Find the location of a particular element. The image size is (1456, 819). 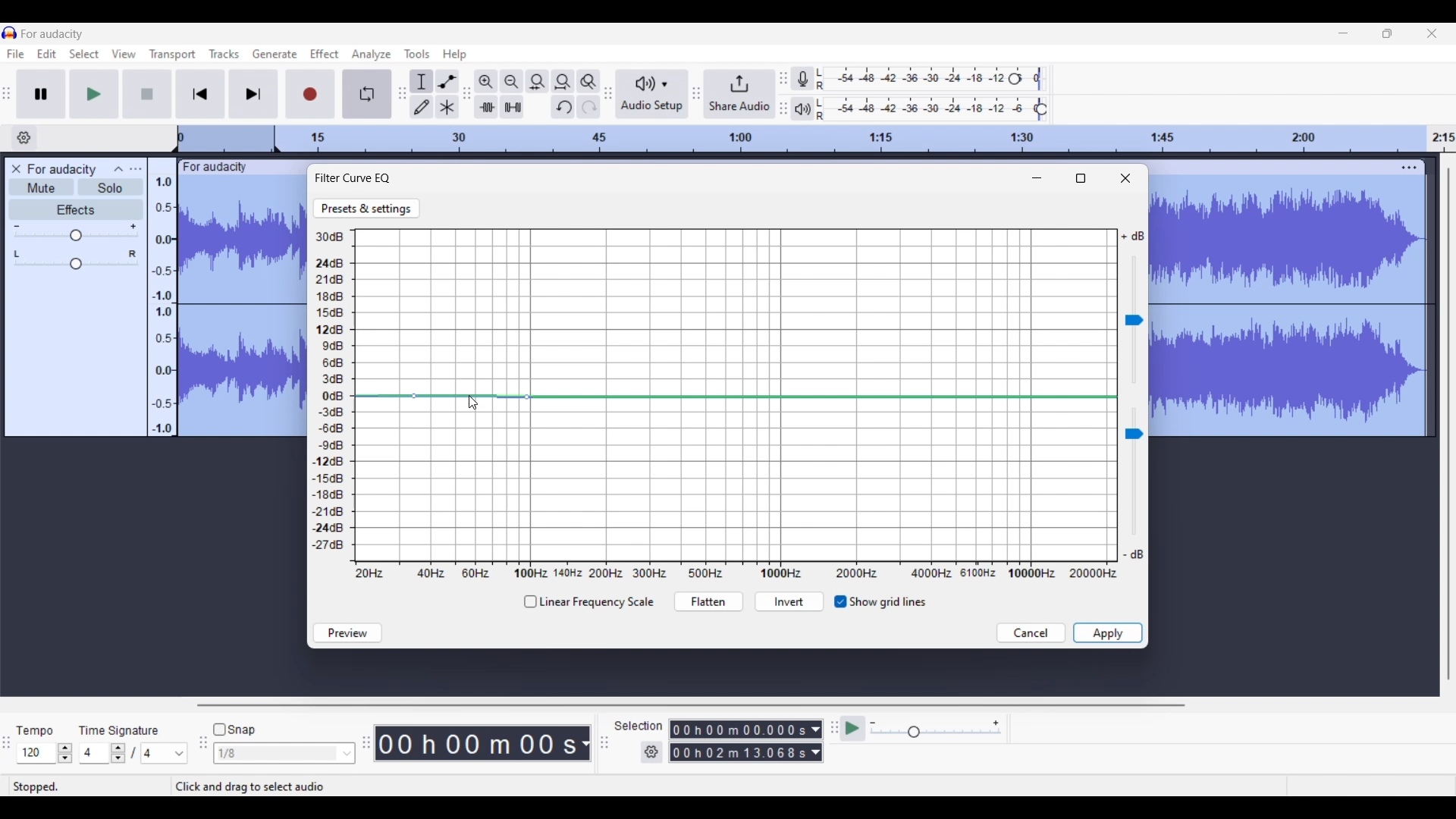

Increase/Decrease time signature is located at coordinates (118, 753).